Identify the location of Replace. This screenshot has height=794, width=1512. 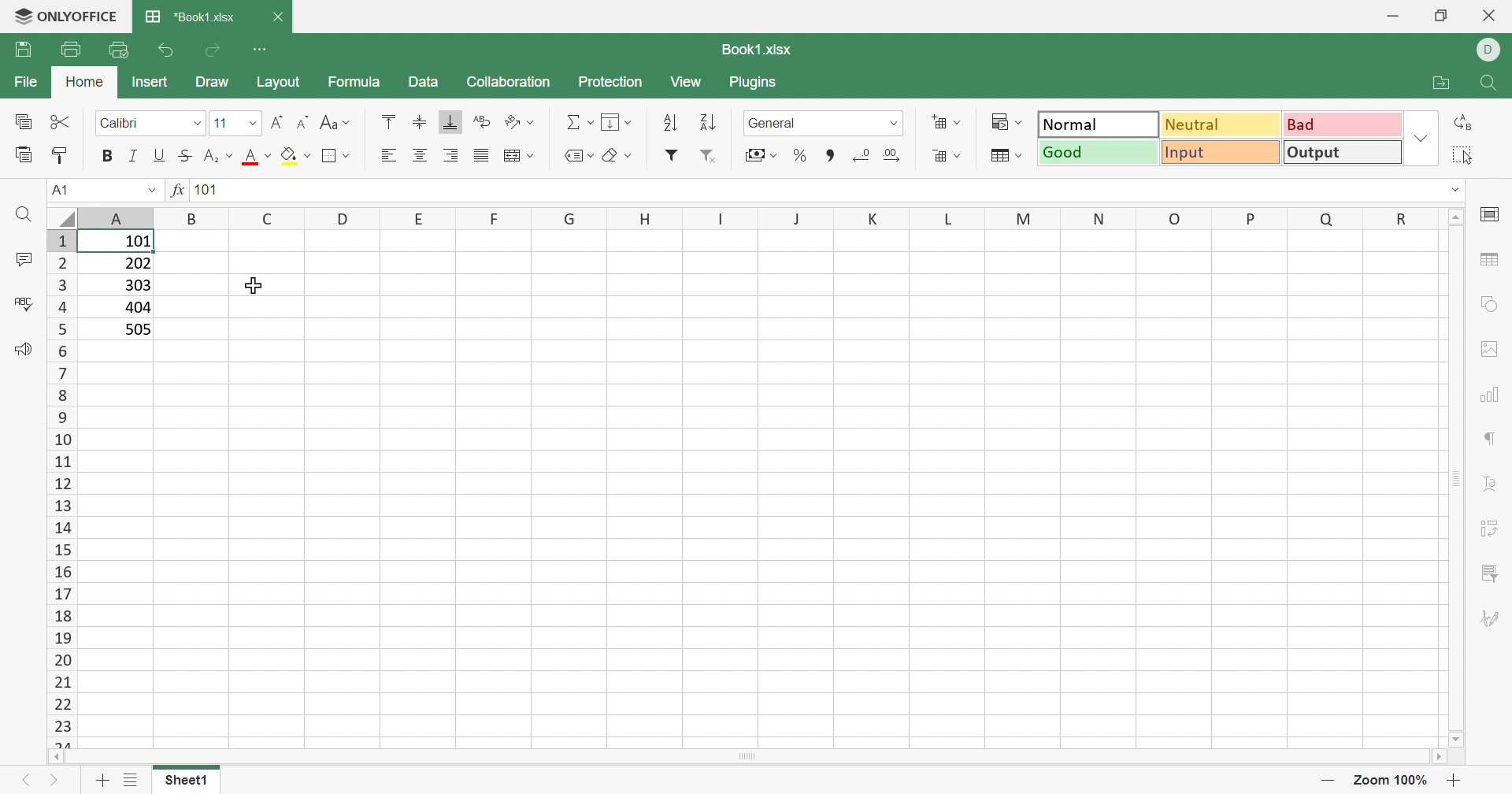
(1466, 122).